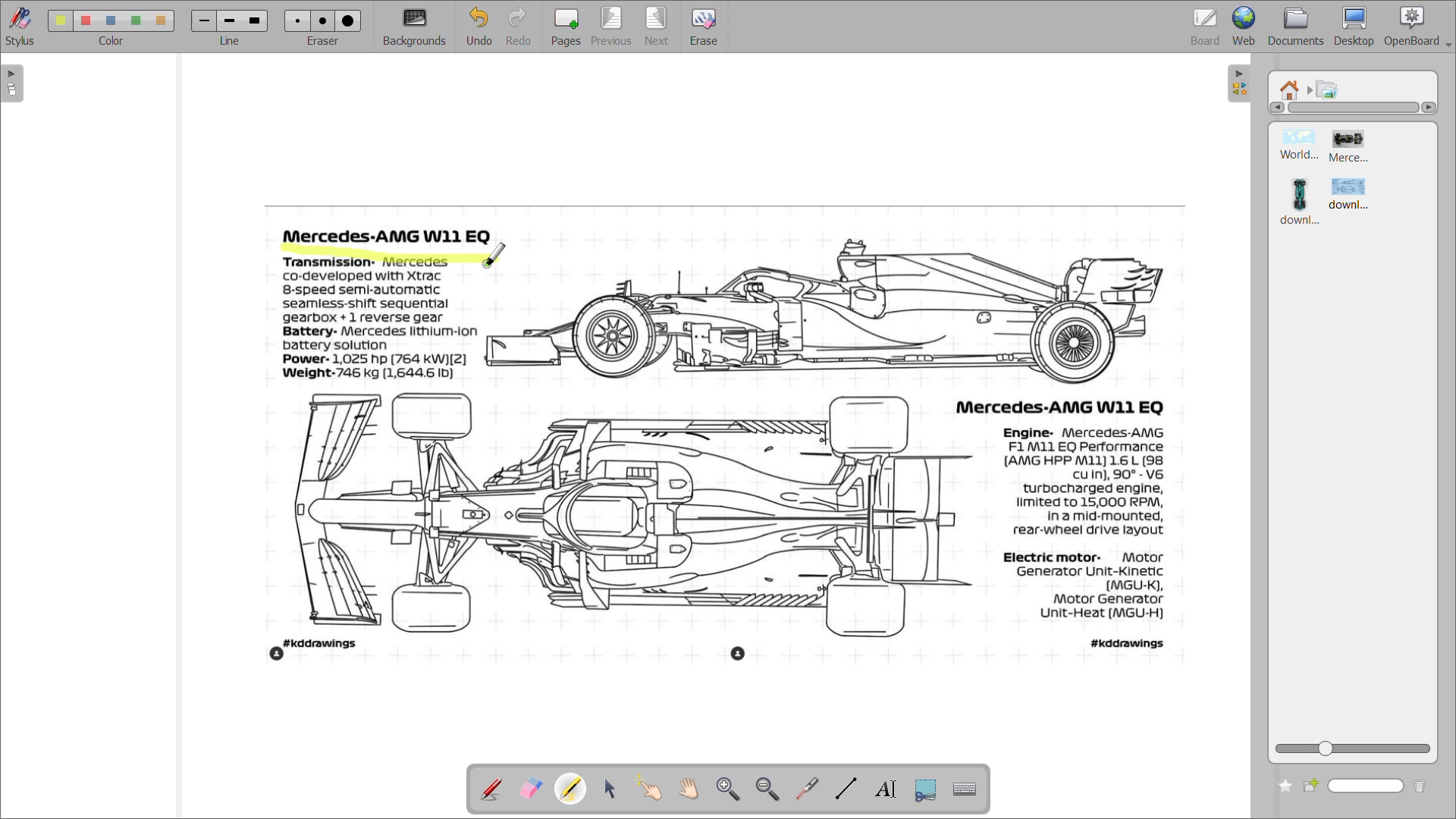  I want to click on erase annotation, so click(533, 789).